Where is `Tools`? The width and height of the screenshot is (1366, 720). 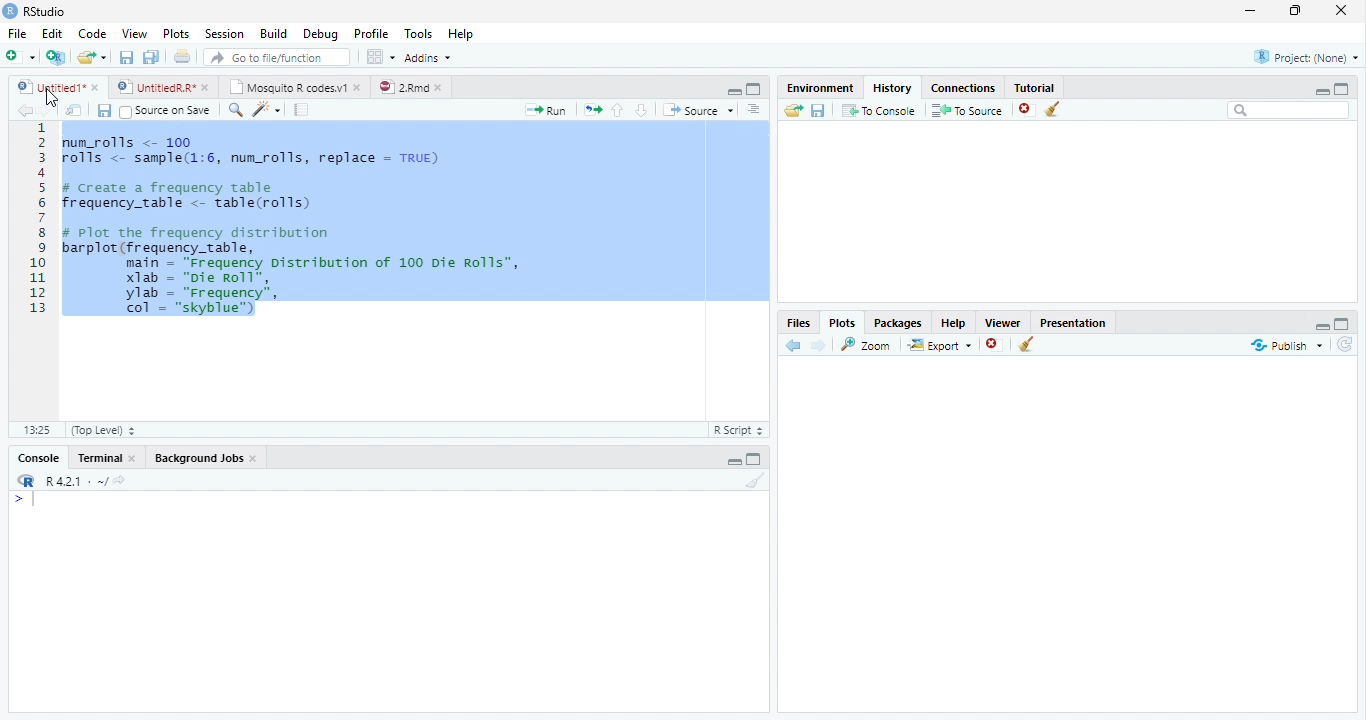 Tools is located at coordinates (420, 33).